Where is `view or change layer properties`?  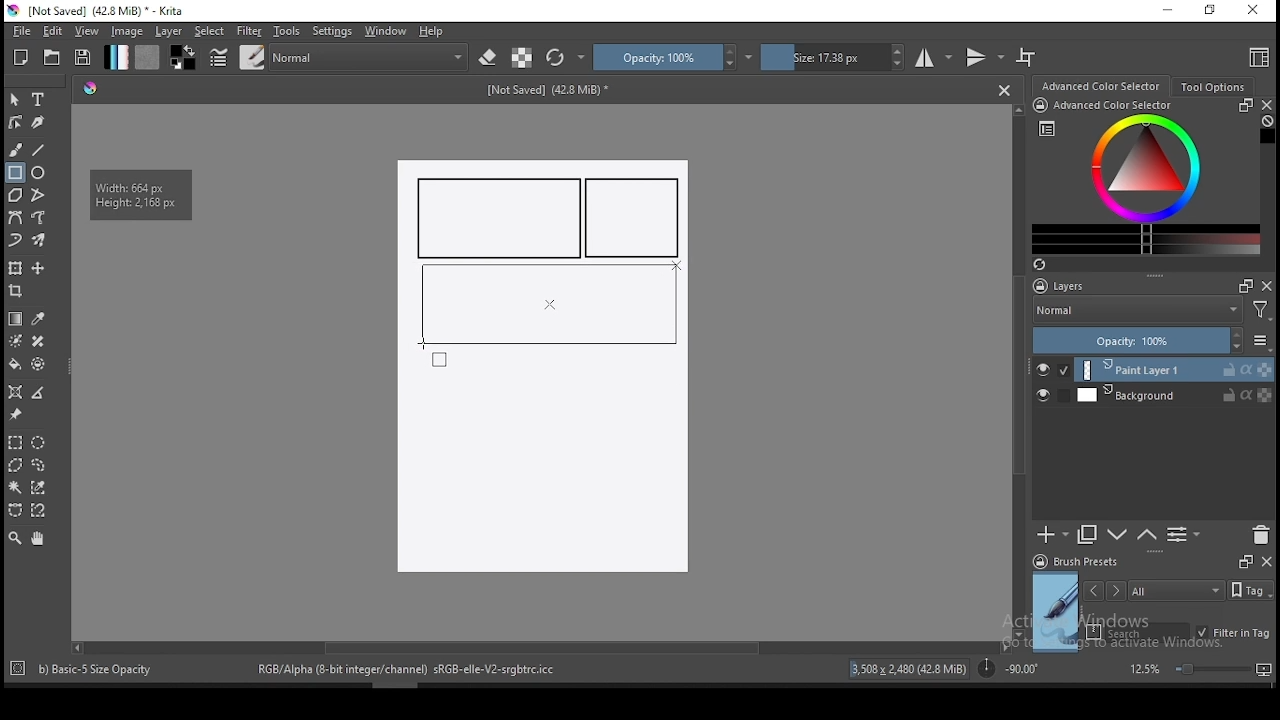 view or change layer properties is located at coordinates (1183, 534).